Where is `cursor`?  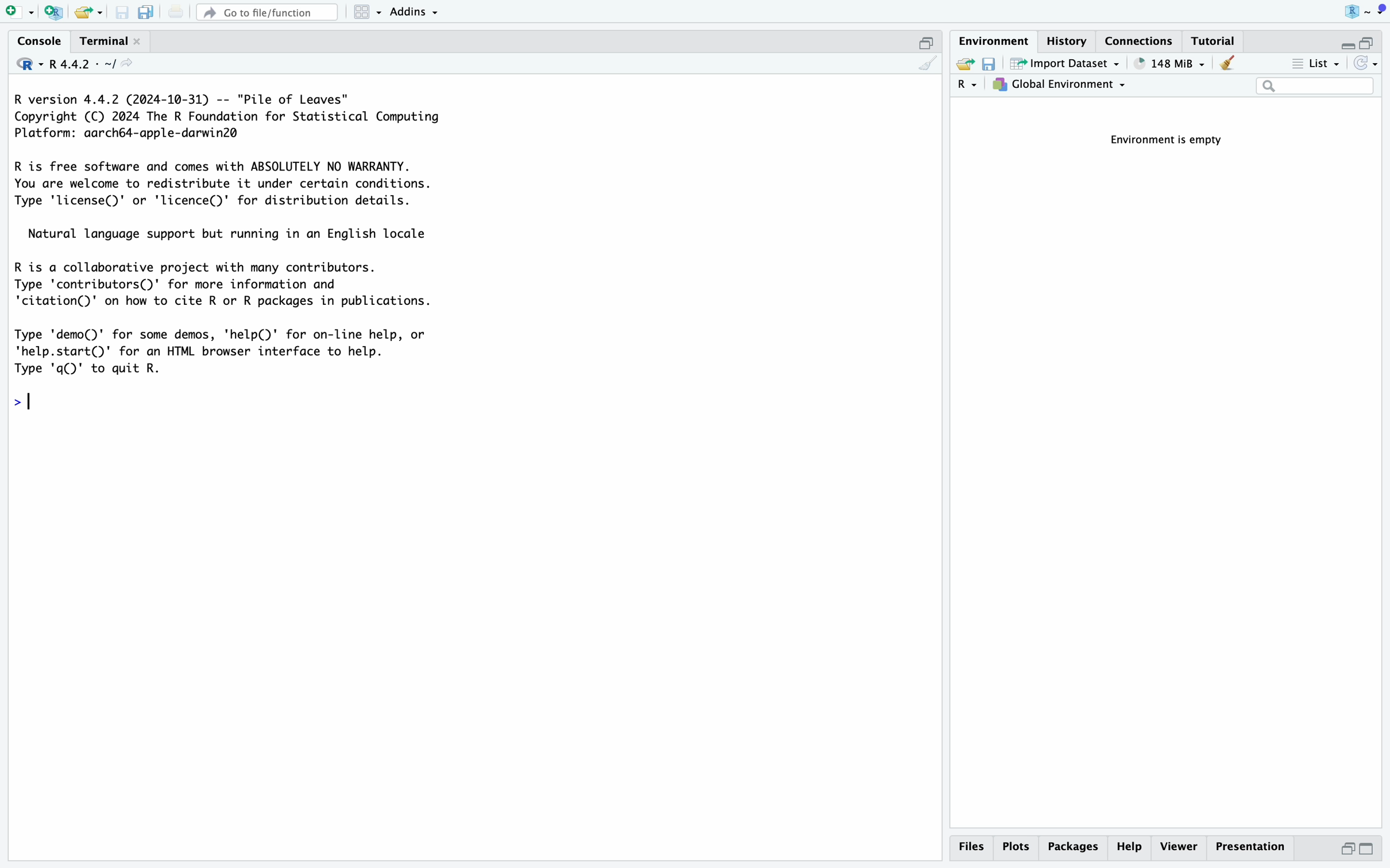 cursor is located at coordinates (59, 404).